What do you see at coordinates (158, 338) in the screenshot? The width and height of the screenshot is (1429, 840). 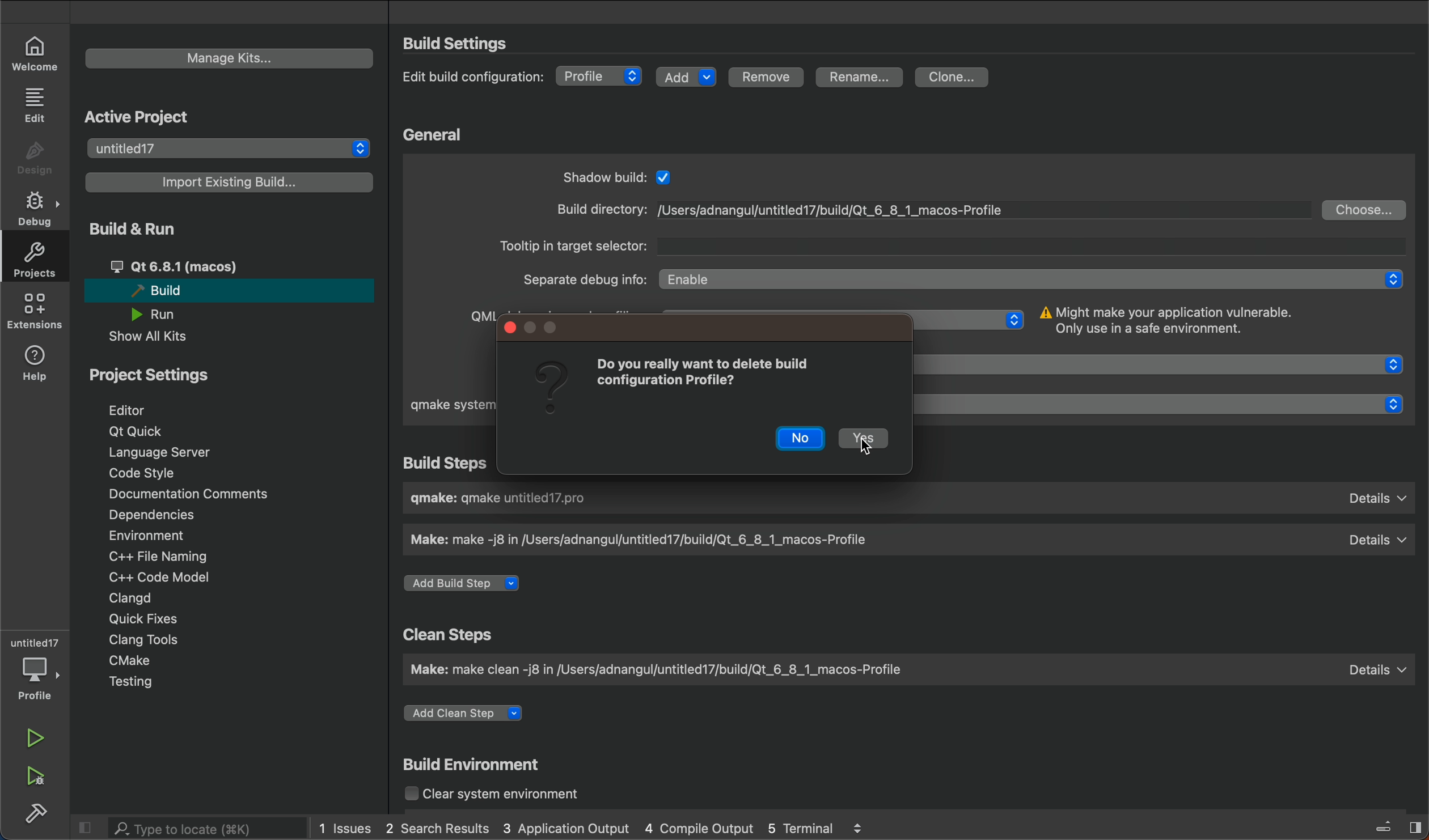 I see `show all kits` at bounding box center [158, 338].